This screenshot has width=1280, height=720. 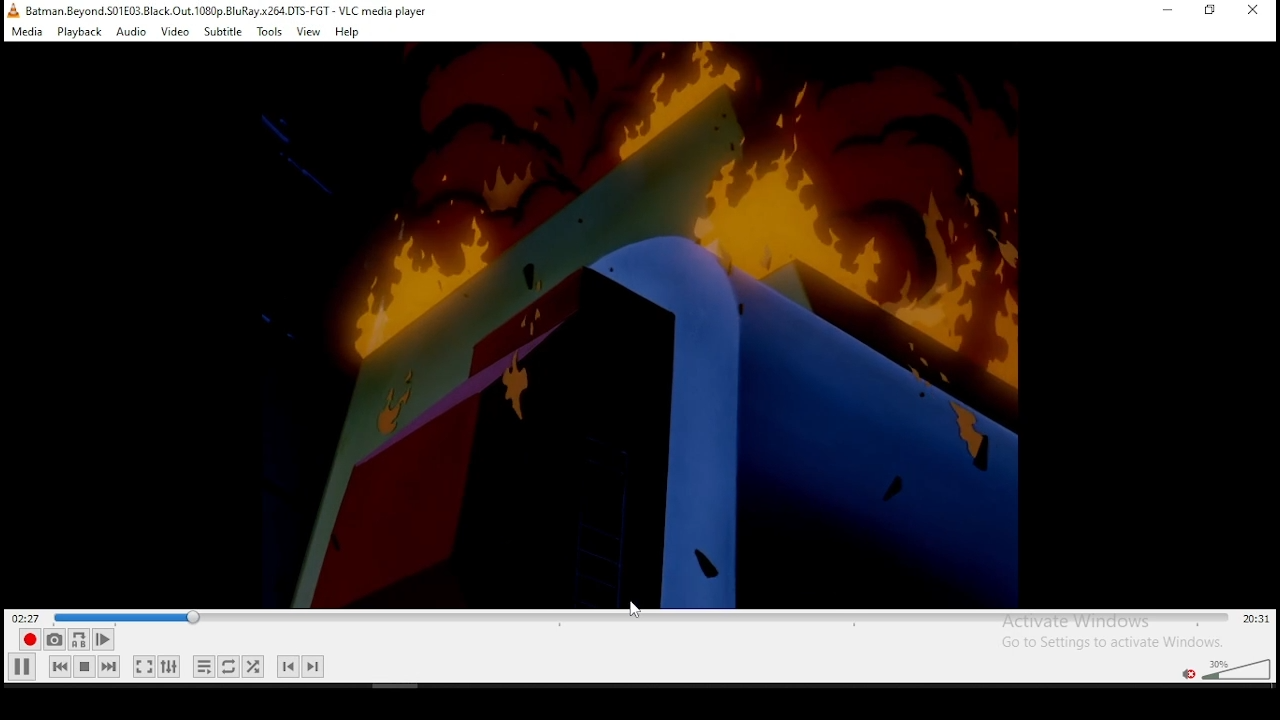 What do you see at coordinates (632, 608) in the screenshot?
I see `annotate` at bounding box center [632, 608].